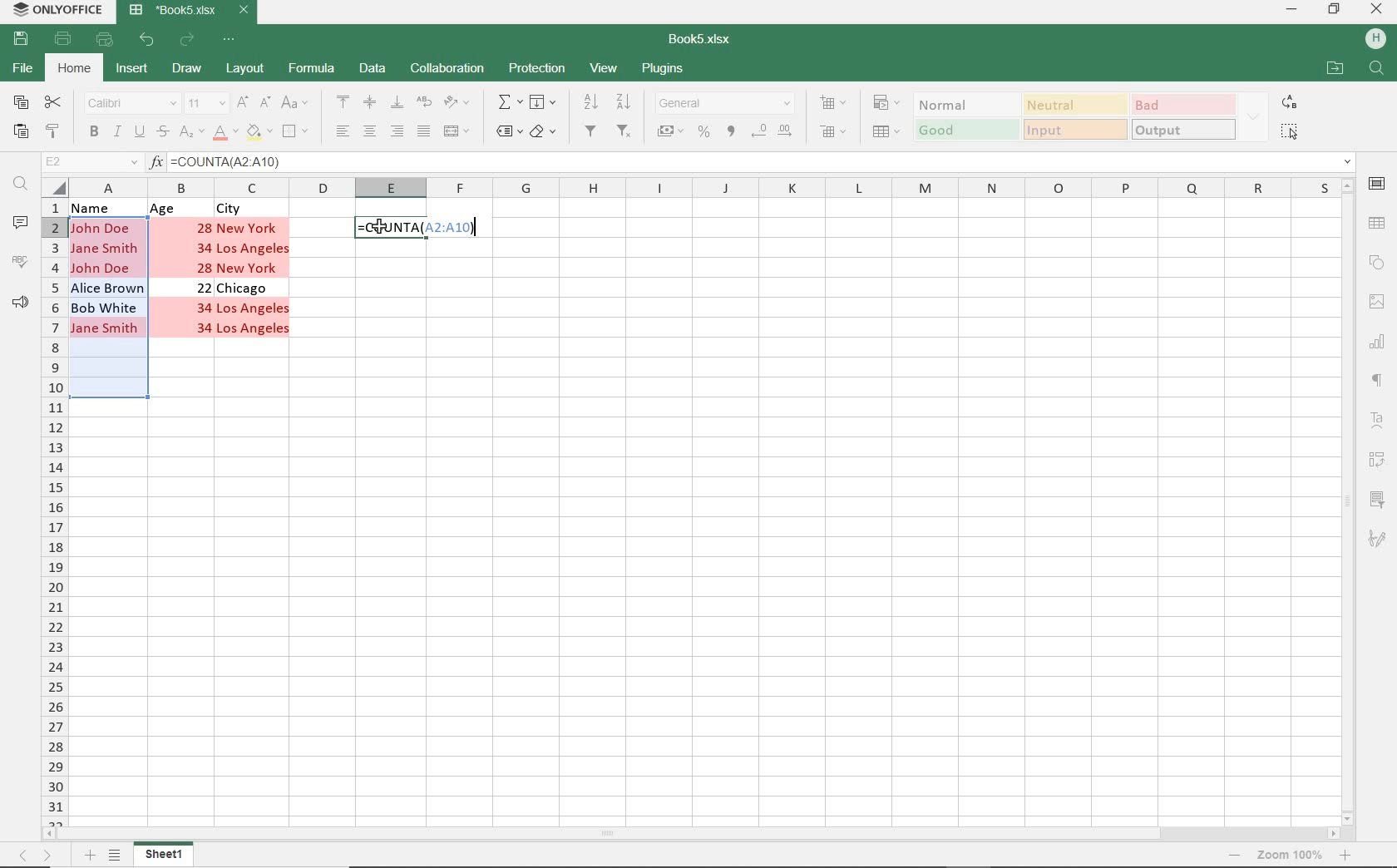 The height and width of the screenshot is (868, 1397). Describe the element at coordinates (73, 69) in the screenshot. I see `HOME` at that location.